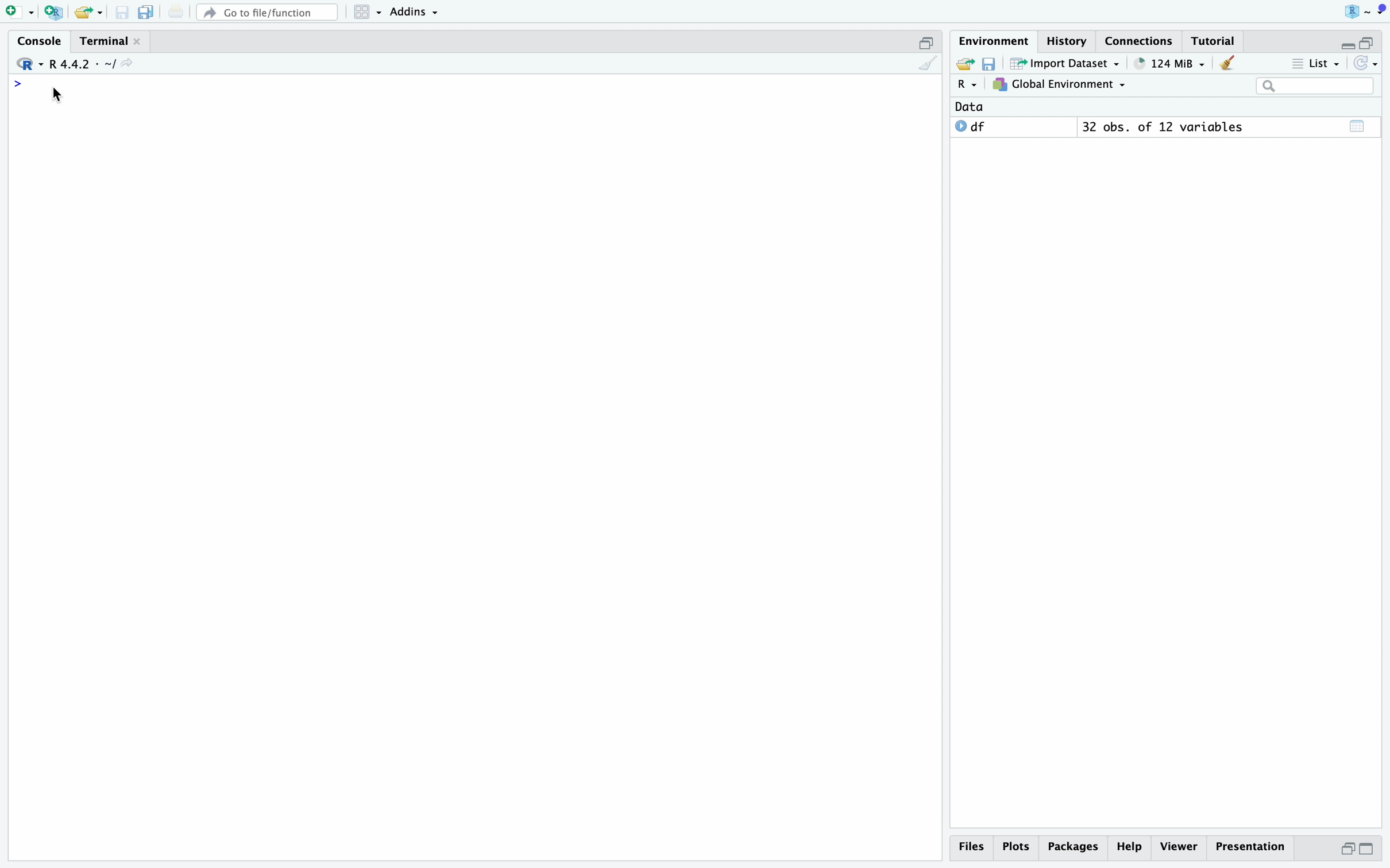  What do you see at coordinates (21, 13) in the screenshot?
I see `Add file as` at bounding box center [21, 13].